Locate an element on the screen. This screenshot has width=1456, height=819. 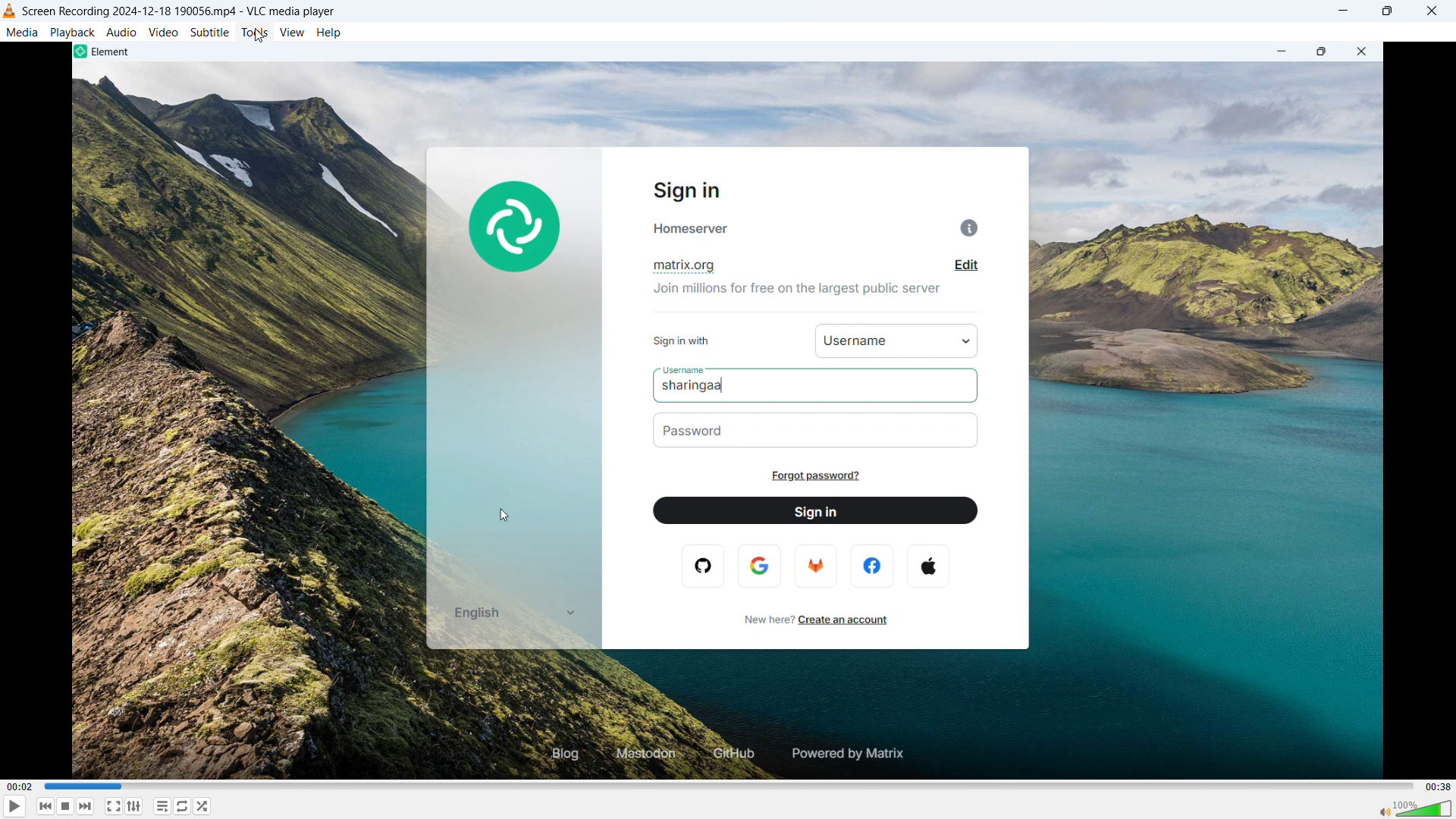
apple logo is located at coordinates (927, 566).